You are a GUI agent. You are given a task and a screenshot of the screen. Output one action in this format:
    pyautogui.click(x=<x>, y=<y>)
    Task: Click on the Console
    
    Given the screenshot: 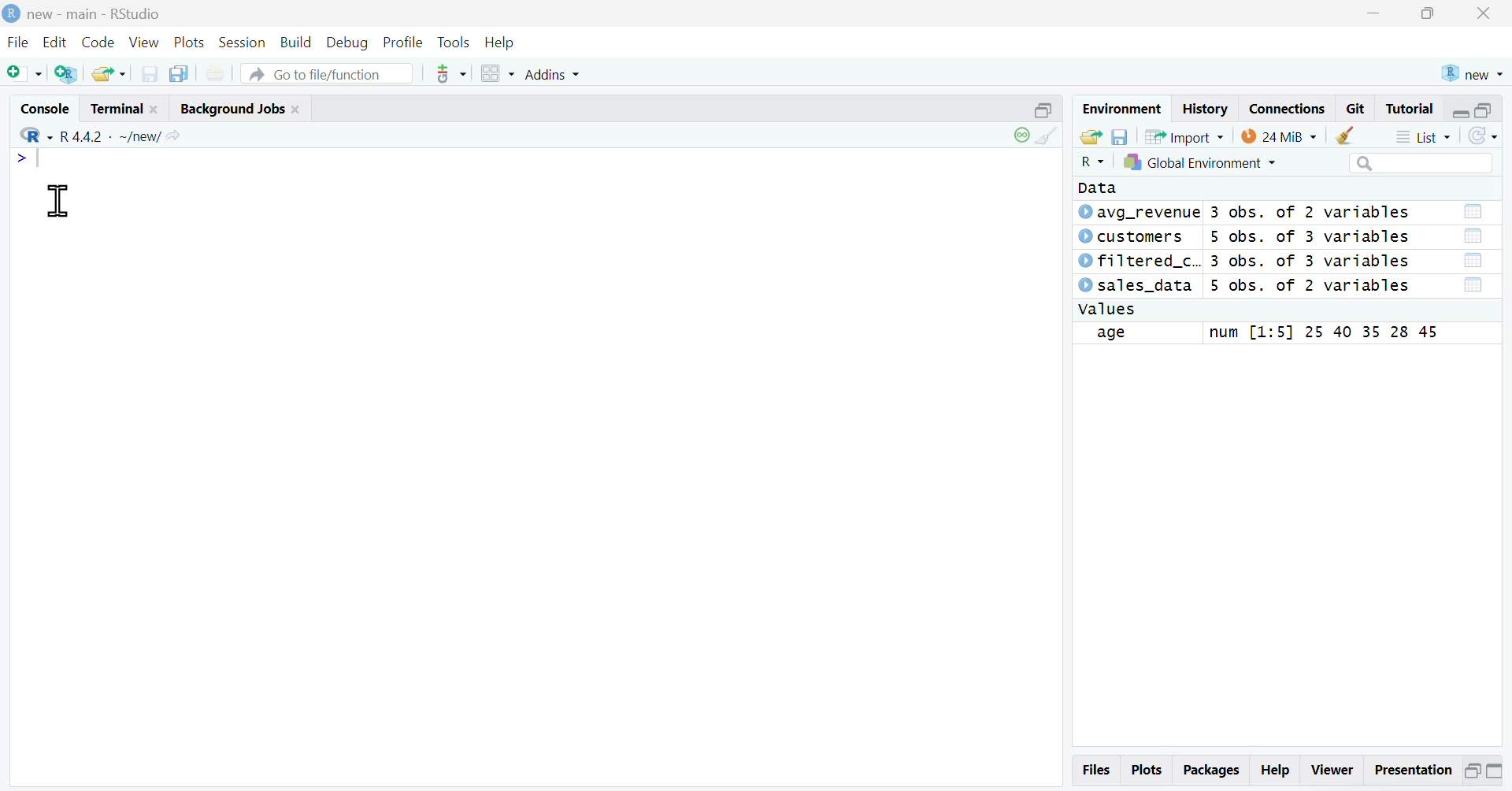 What is the action you would take?
    pyautogui.click(x=46, y=108)
    